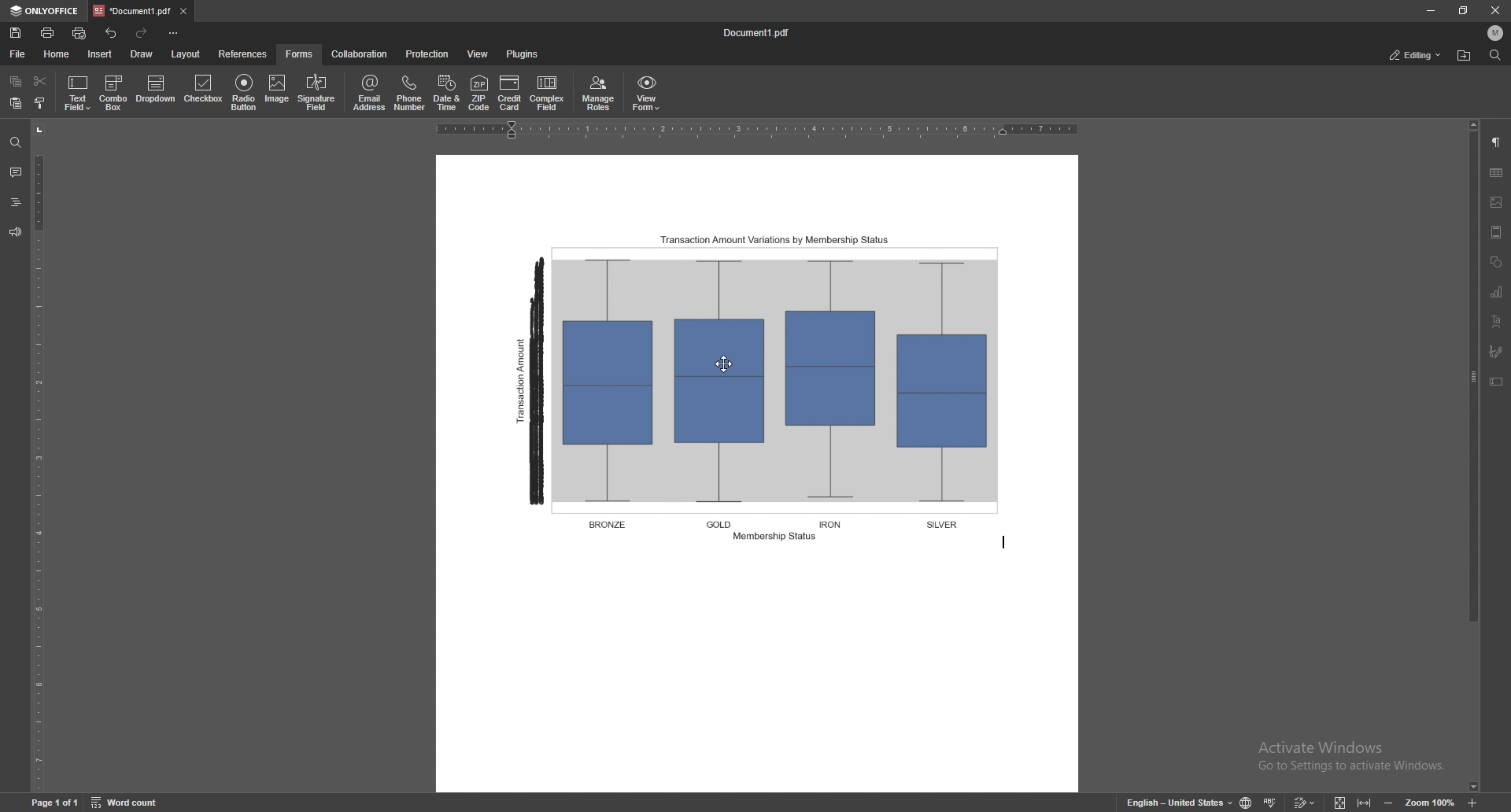 Image resolution: width=1511 pixels, height=812 pixels. I want to click on redo, so click(142, 34).